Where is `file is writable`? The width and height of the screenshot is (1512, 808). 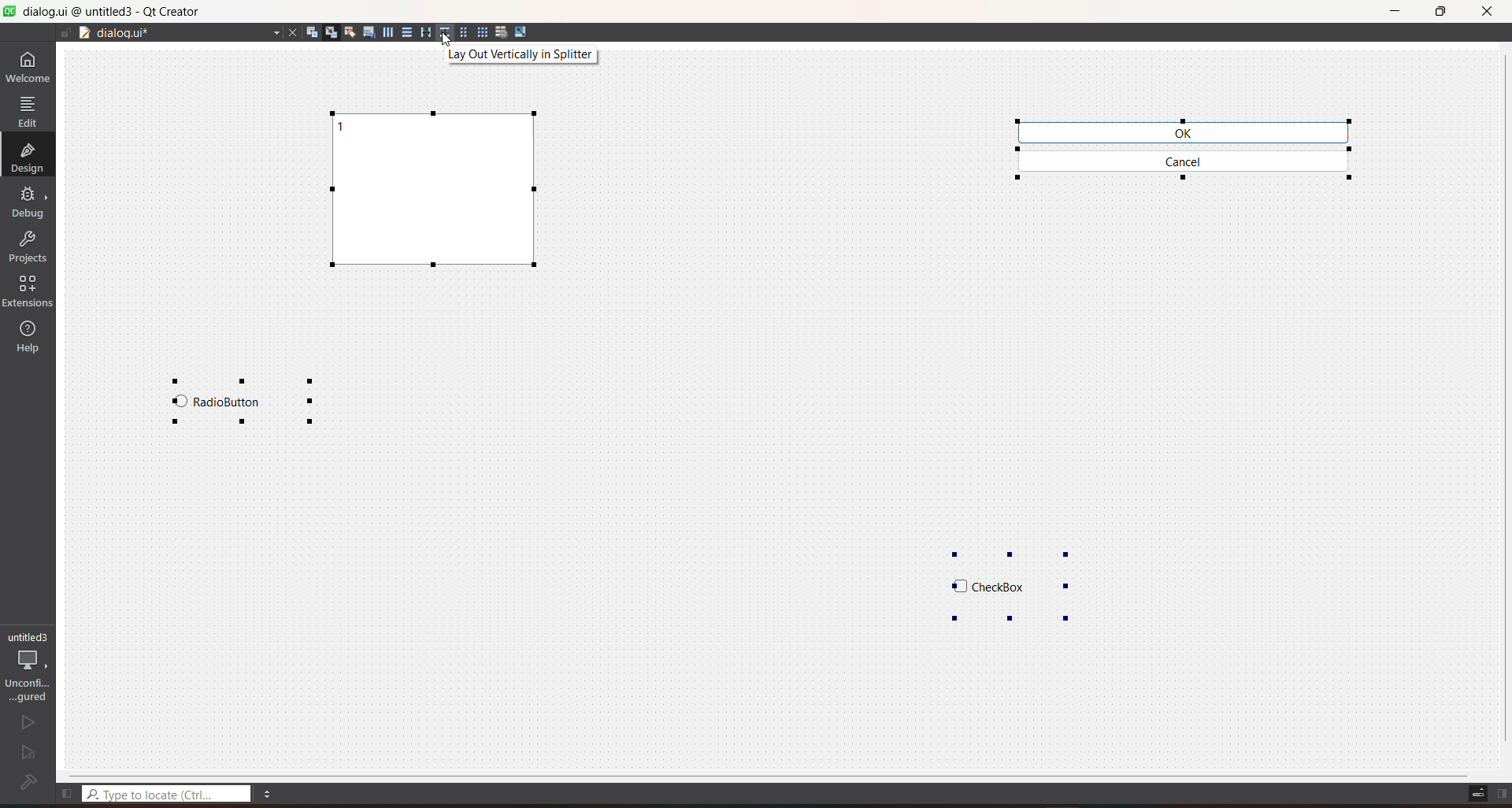 file is writable is located at coordinates (65, 35).